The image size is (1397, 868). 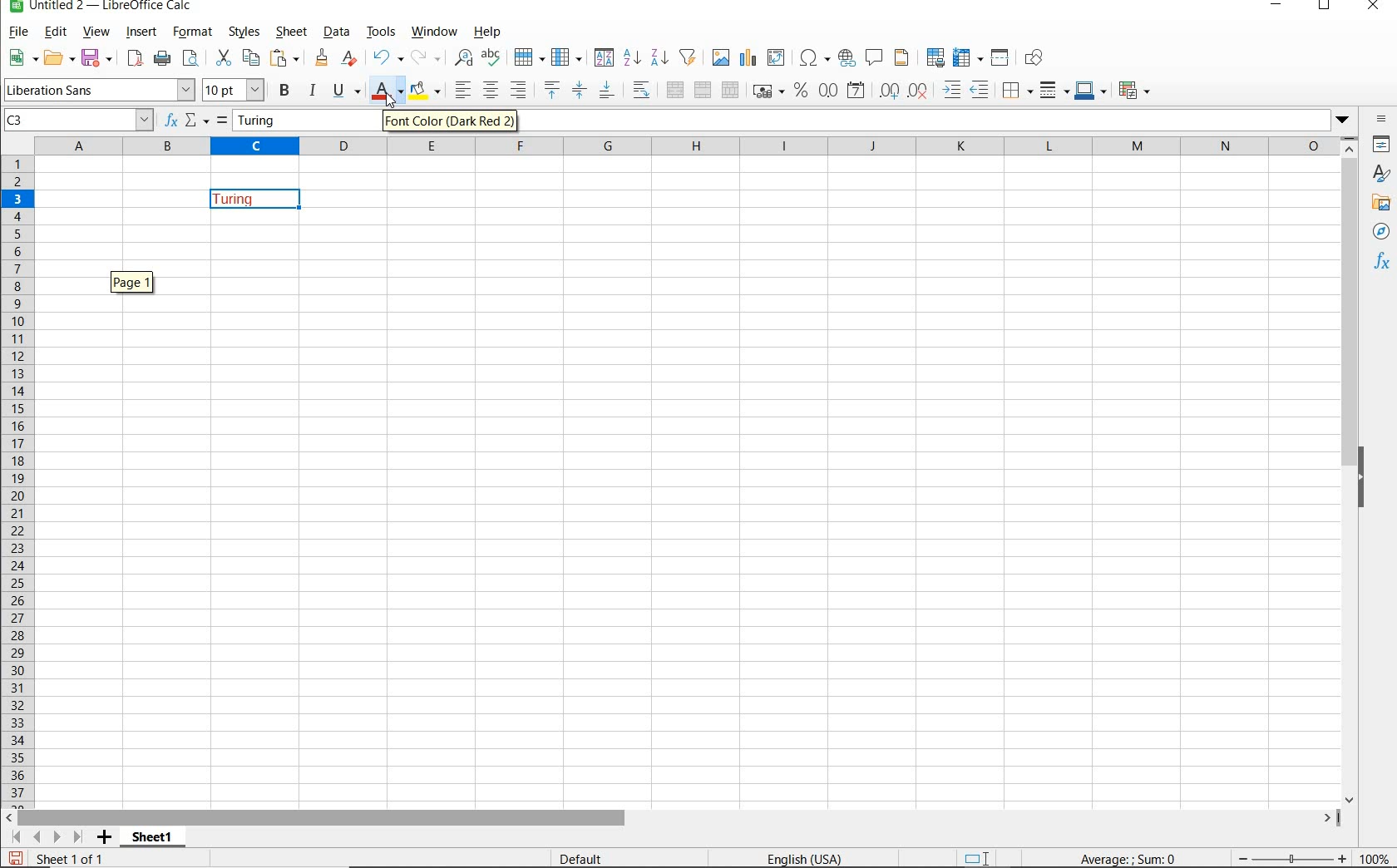 I want to click on CLEAR DIRECT FORMATTING, so click(x=346, y=57).